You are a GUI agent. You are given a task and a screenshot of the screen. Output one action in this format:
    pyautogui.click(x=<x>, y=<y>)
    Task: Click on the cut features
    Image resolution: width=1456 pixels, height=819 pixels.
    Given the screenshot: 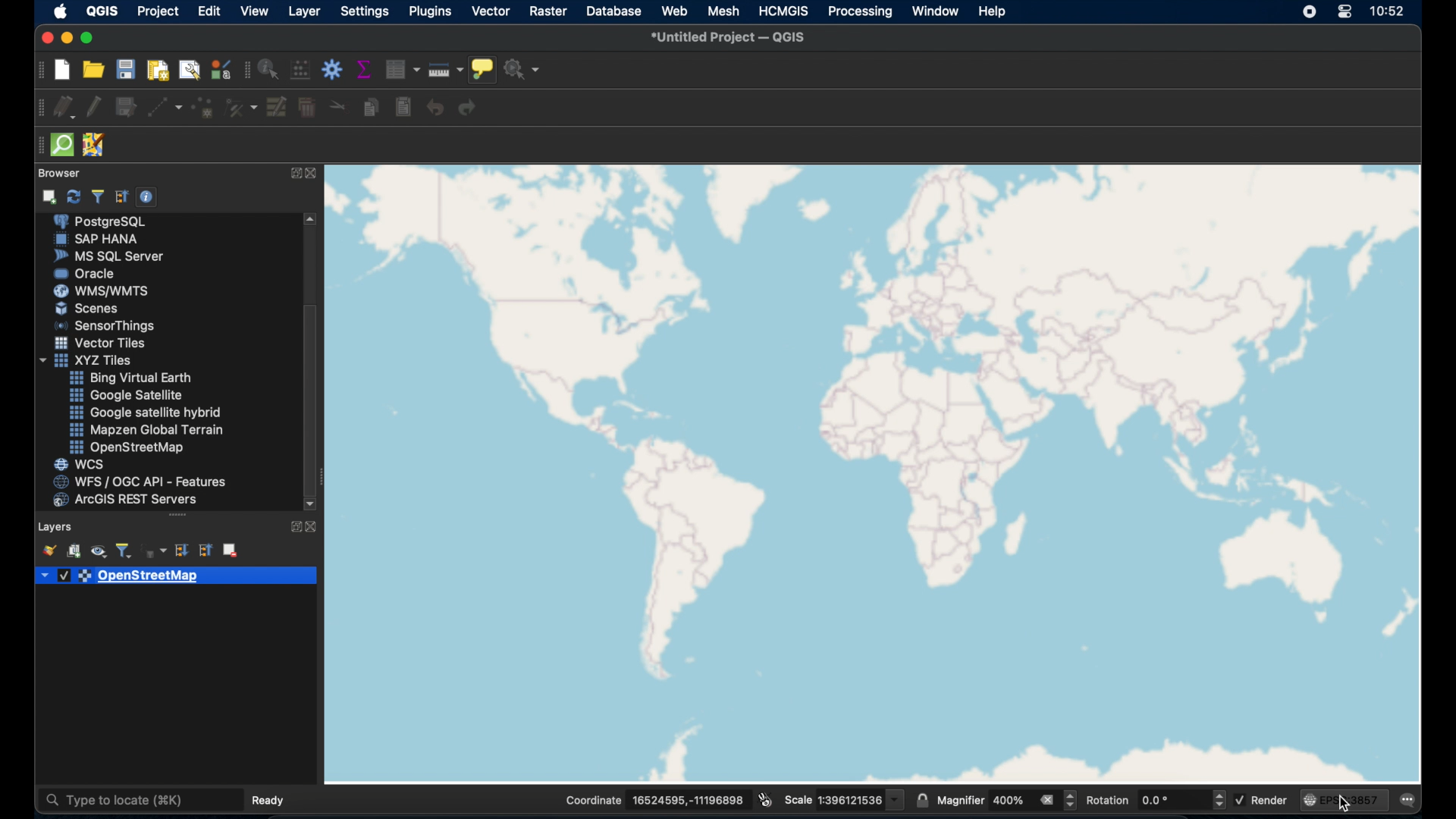 What is the action you would take?
    pyautogui.click(x=335, y=106)
    